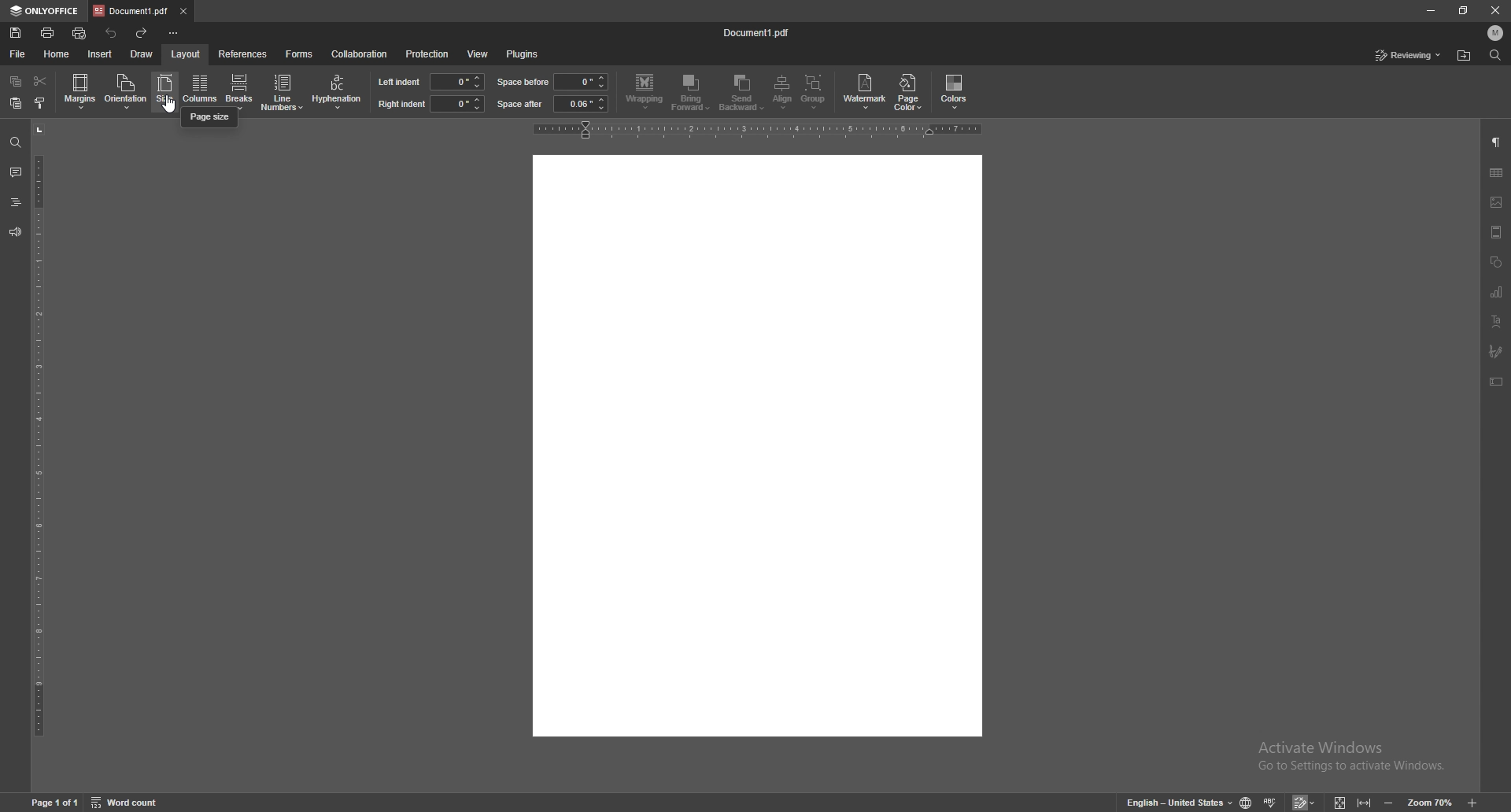  What do you see at coordinates (581, 104) in the screenshot?
I see `input space after` at bounding box center [581, 104].